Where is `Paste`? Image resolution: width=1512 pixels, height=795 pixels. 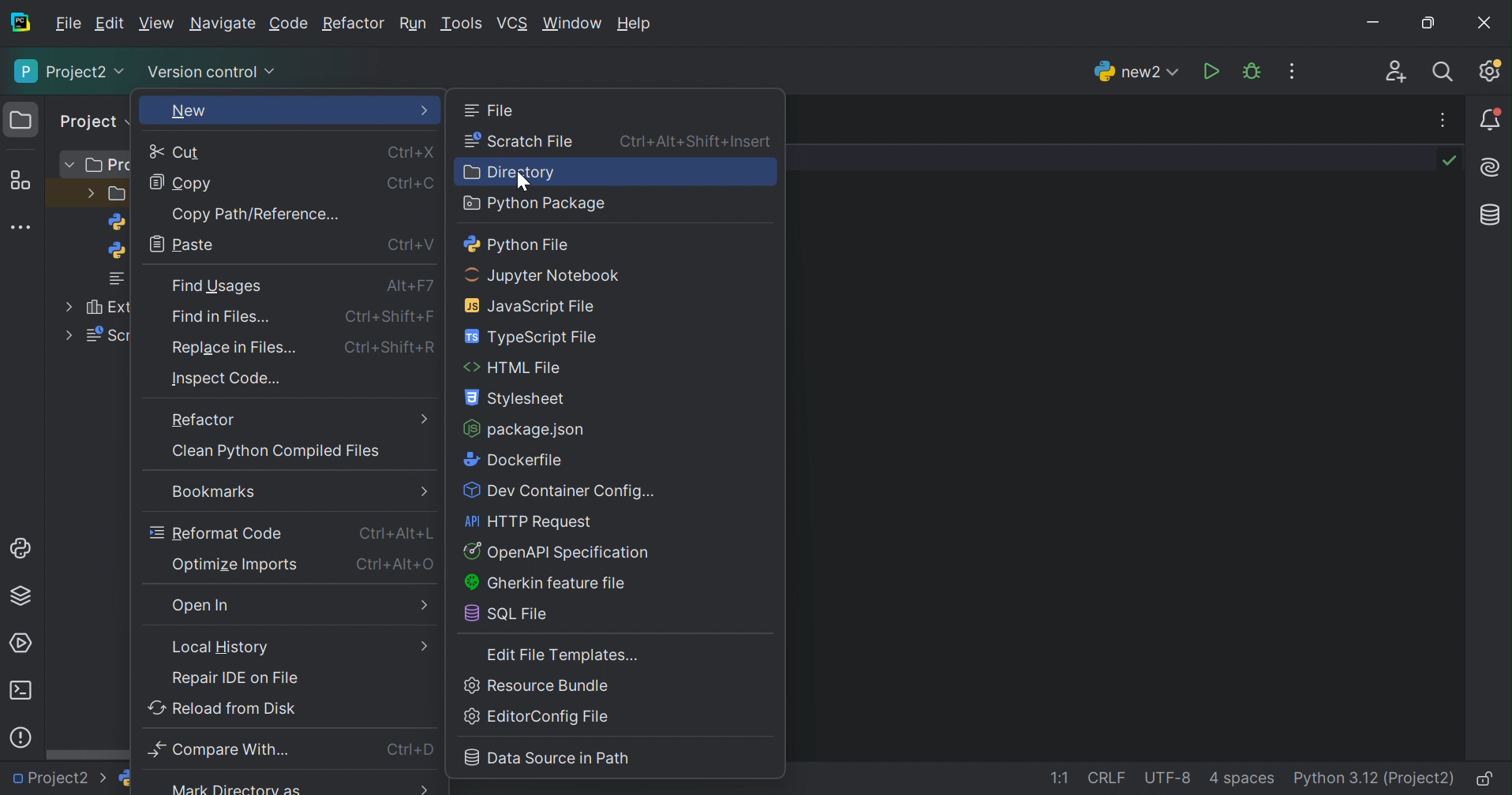
Paste is located at coordinates (185, 244).